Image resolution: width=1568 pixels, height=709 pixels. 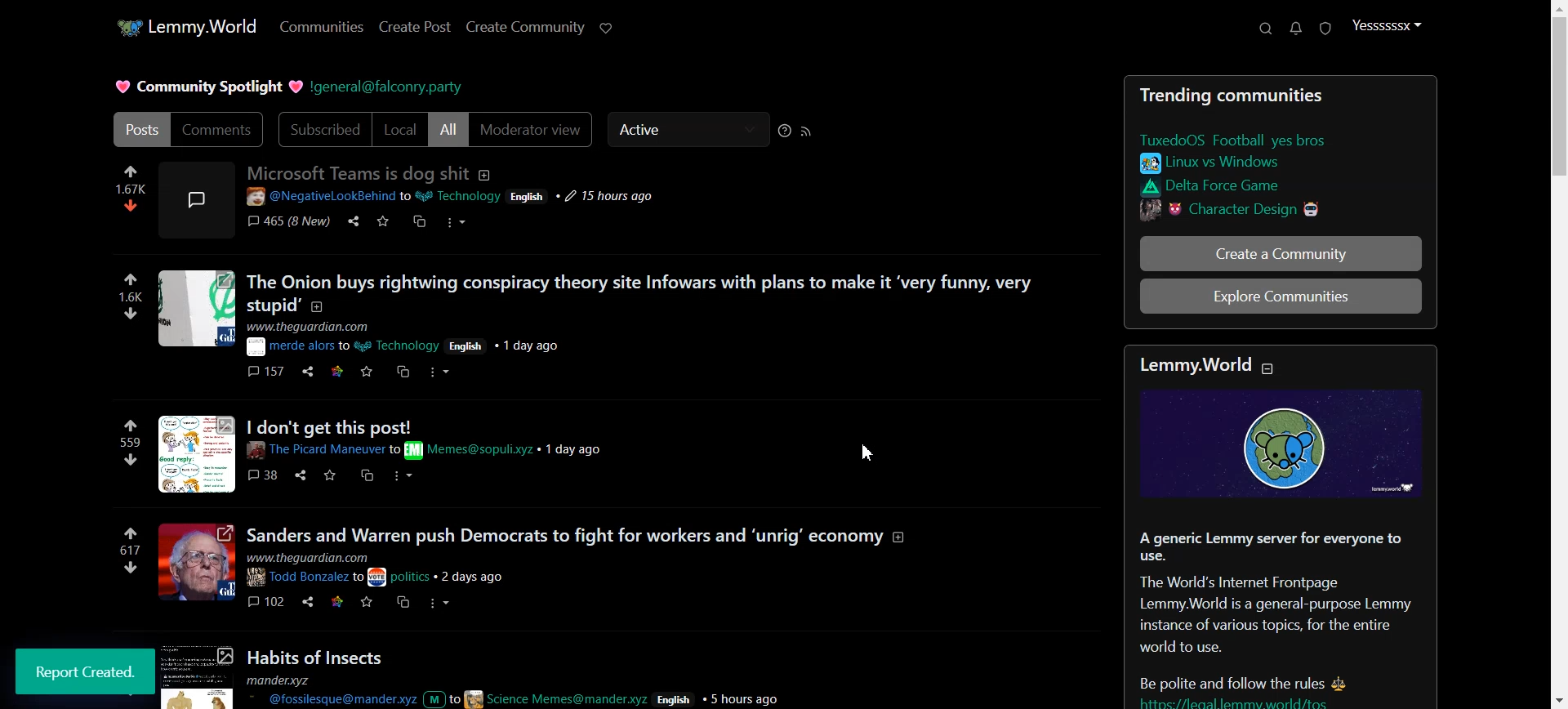 What do you see at coordinates (385, 224) in the screenshot?
I see `save` at bounding box center [385, 224].